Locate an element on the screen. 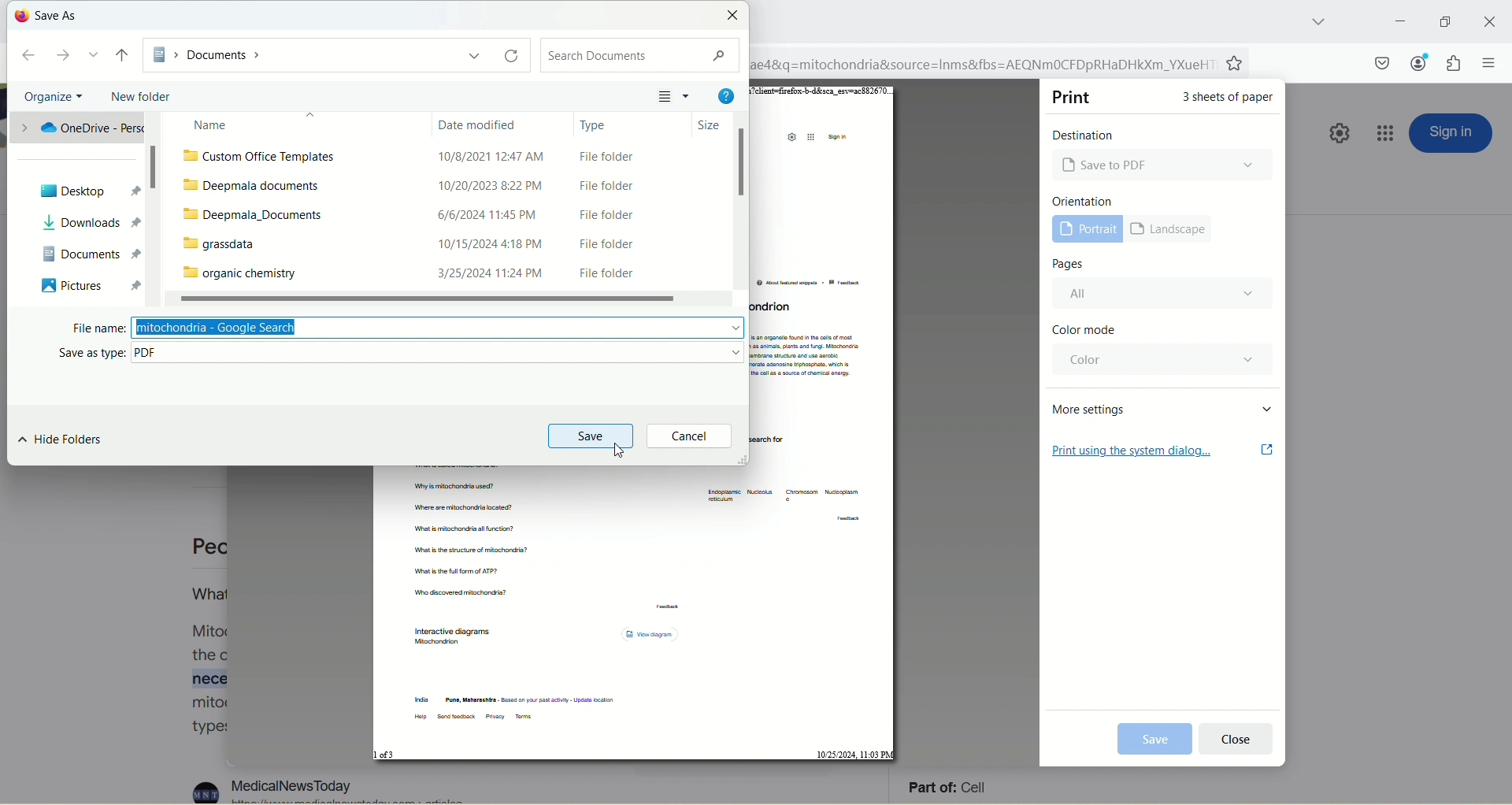  OneDrive is located at coordinates (76, 129).